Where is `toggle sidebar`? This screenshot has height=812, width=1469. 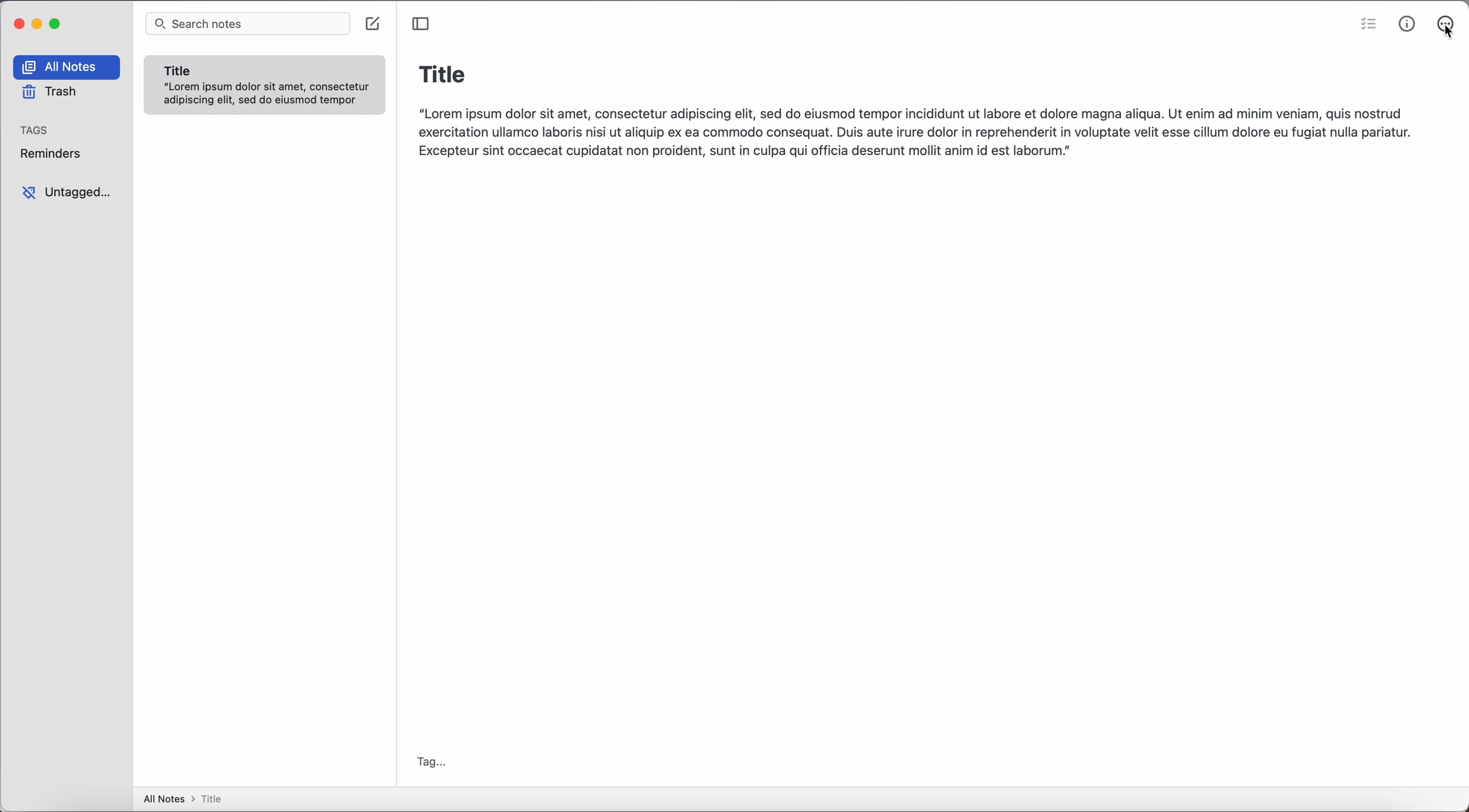 toggle sidebar is located at coordinates (420, 23).